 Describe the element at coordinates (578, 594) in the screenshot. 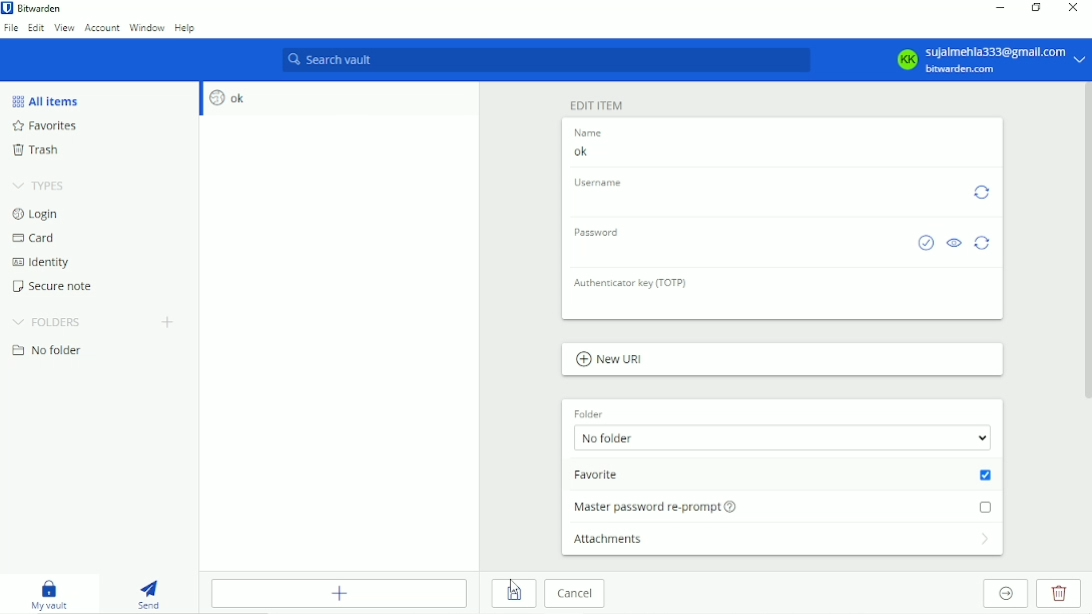

I see `Cancel` at that location.